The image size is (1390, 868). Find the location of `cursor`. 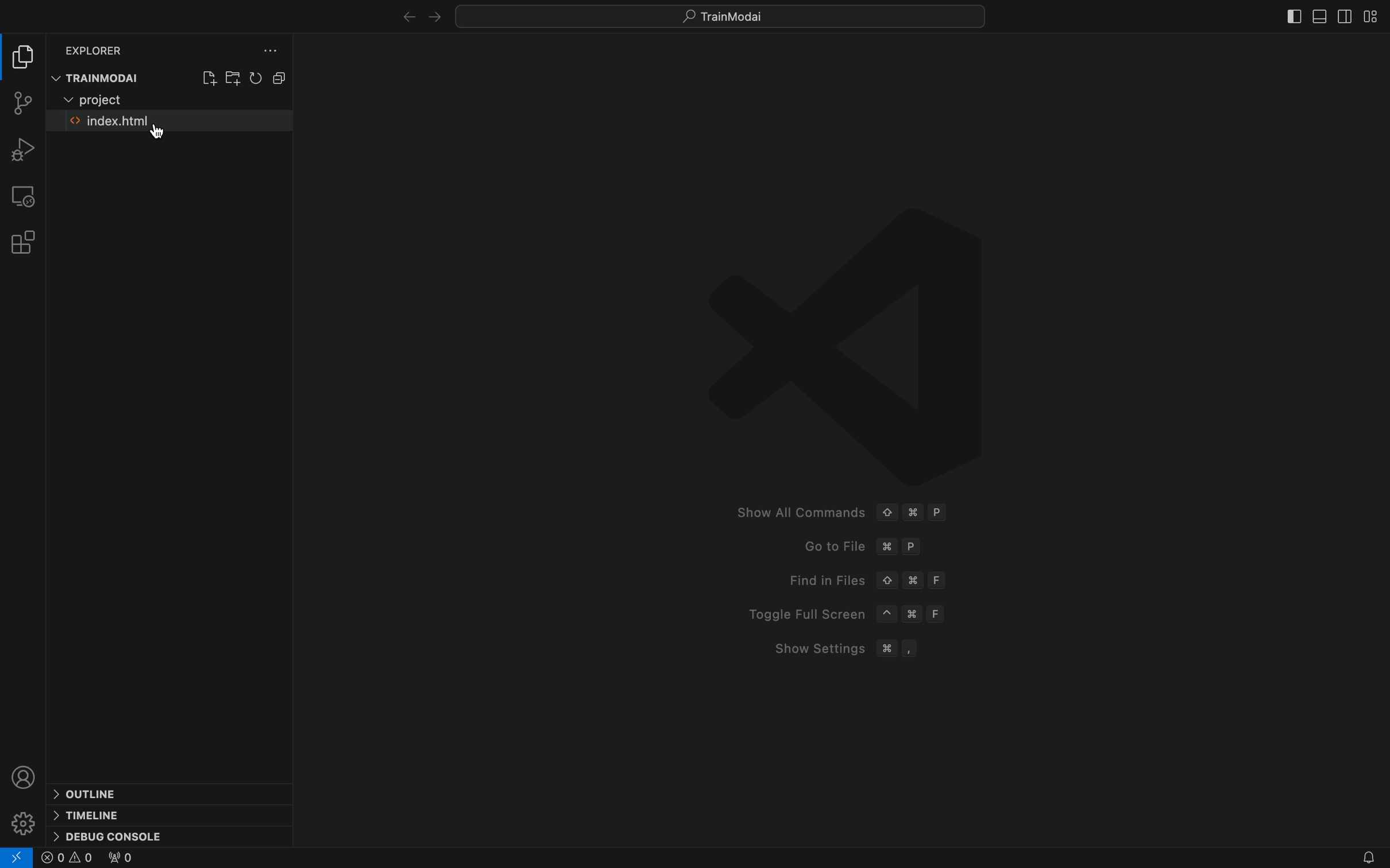

cursor is located at coordinates (157, 133).